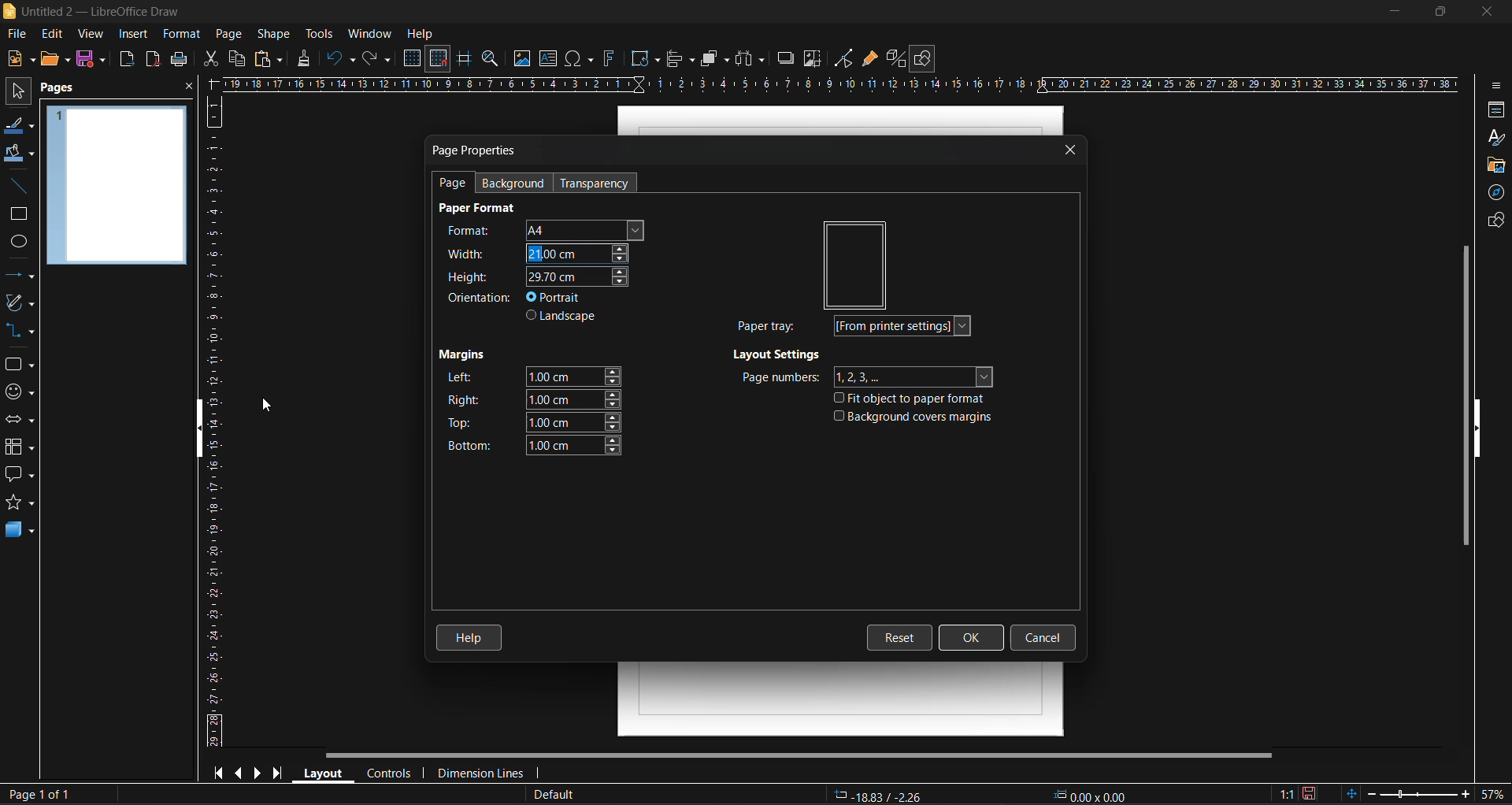 The height and width of the screenshot is (805, 1512). I want to click on display grid, so click(414, 57).